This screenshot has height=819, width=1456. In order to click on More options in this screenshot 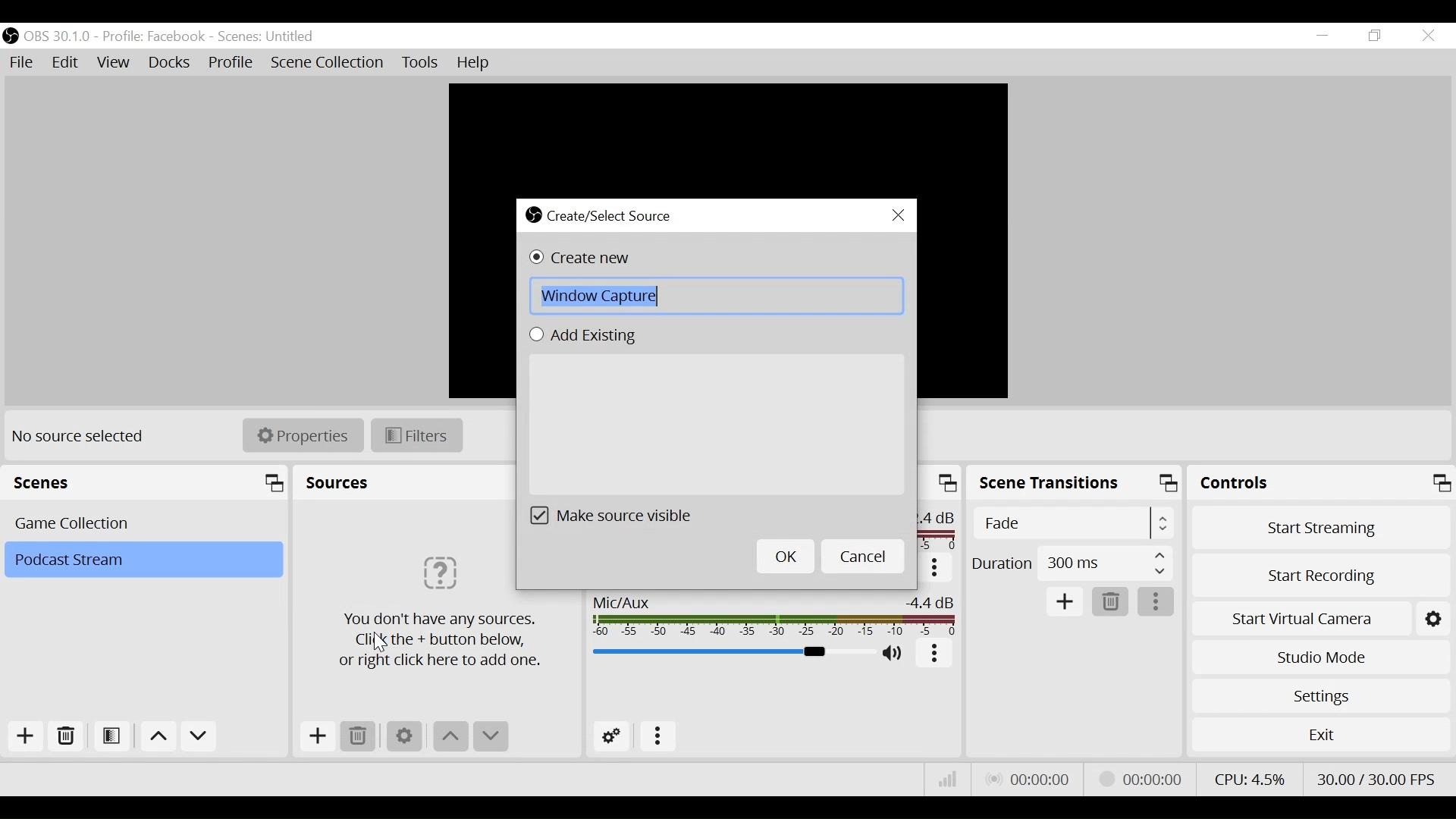, I will do `click(935, 657)`.